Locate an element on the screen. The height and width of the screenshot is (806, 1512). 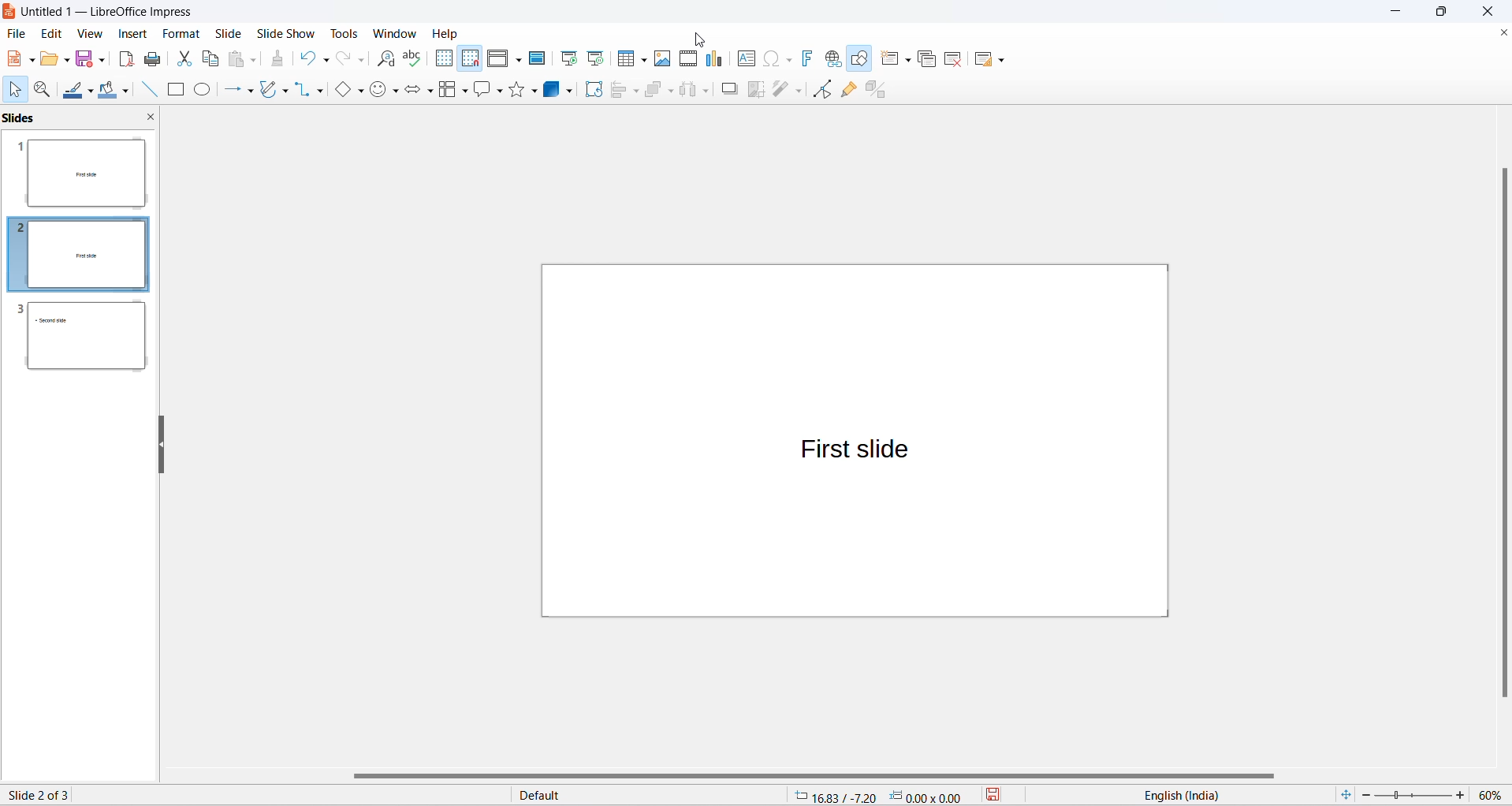
insert hyperlinks is located at coordinates (831, 58).